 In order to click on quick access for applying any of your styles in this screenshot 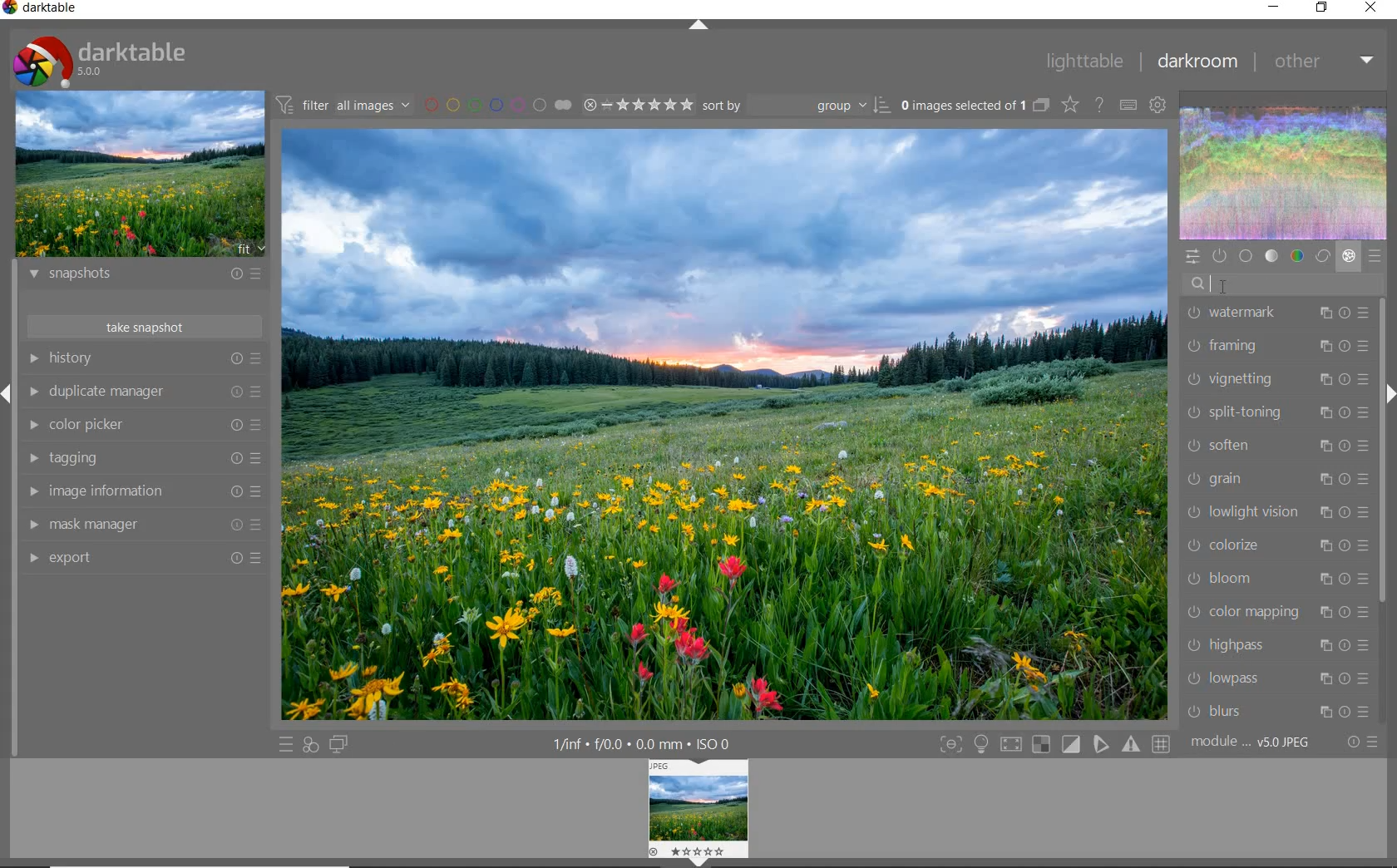, I will do `click(309, 746)`.